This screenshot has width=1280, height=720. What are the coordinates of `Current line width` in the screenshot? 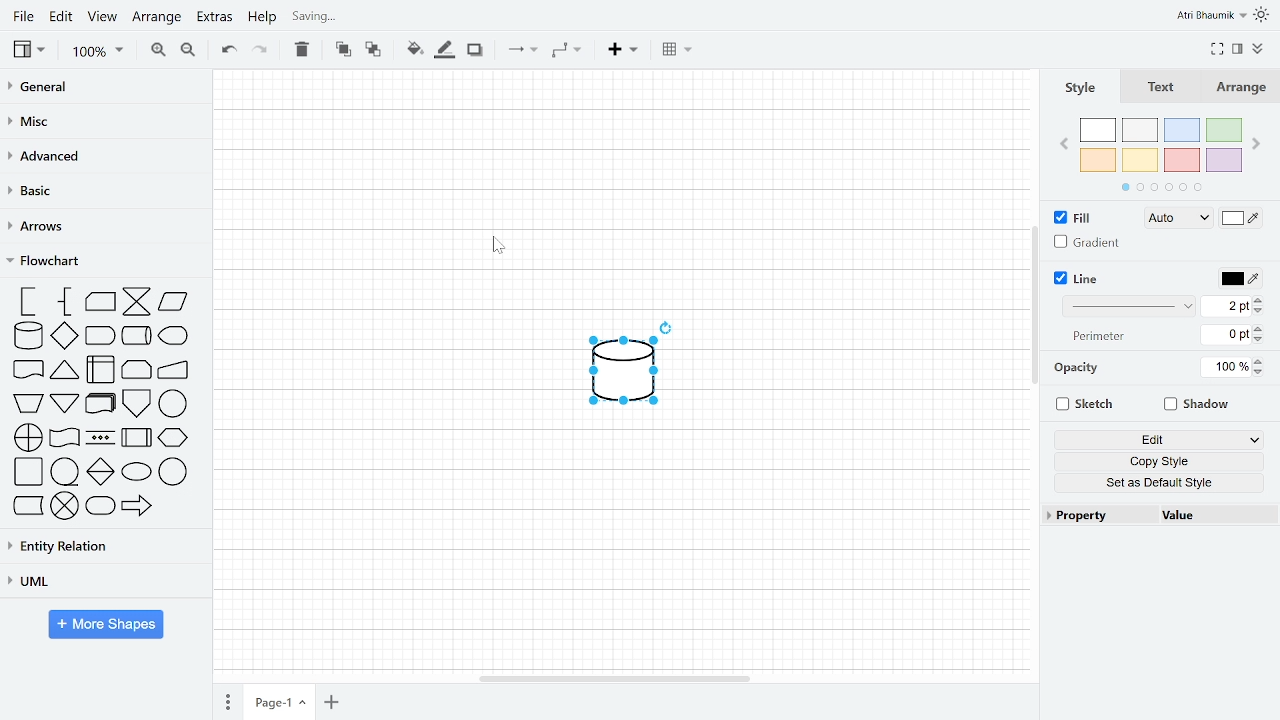 It's located at (1227, 306).